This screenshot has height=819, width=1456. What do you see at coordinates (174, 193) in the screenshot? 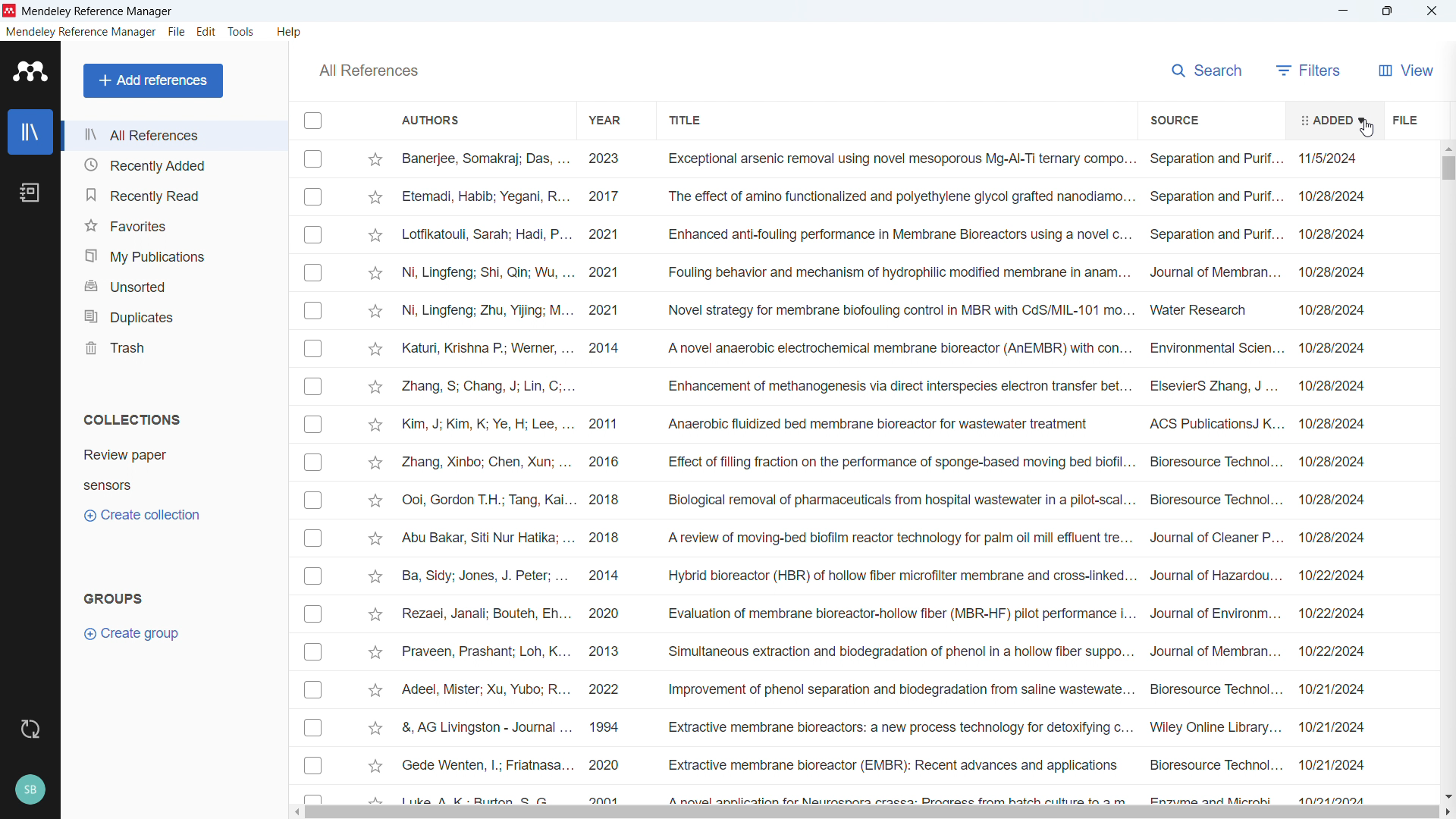
I see `Recently read ` at bounding box center [174, 193].